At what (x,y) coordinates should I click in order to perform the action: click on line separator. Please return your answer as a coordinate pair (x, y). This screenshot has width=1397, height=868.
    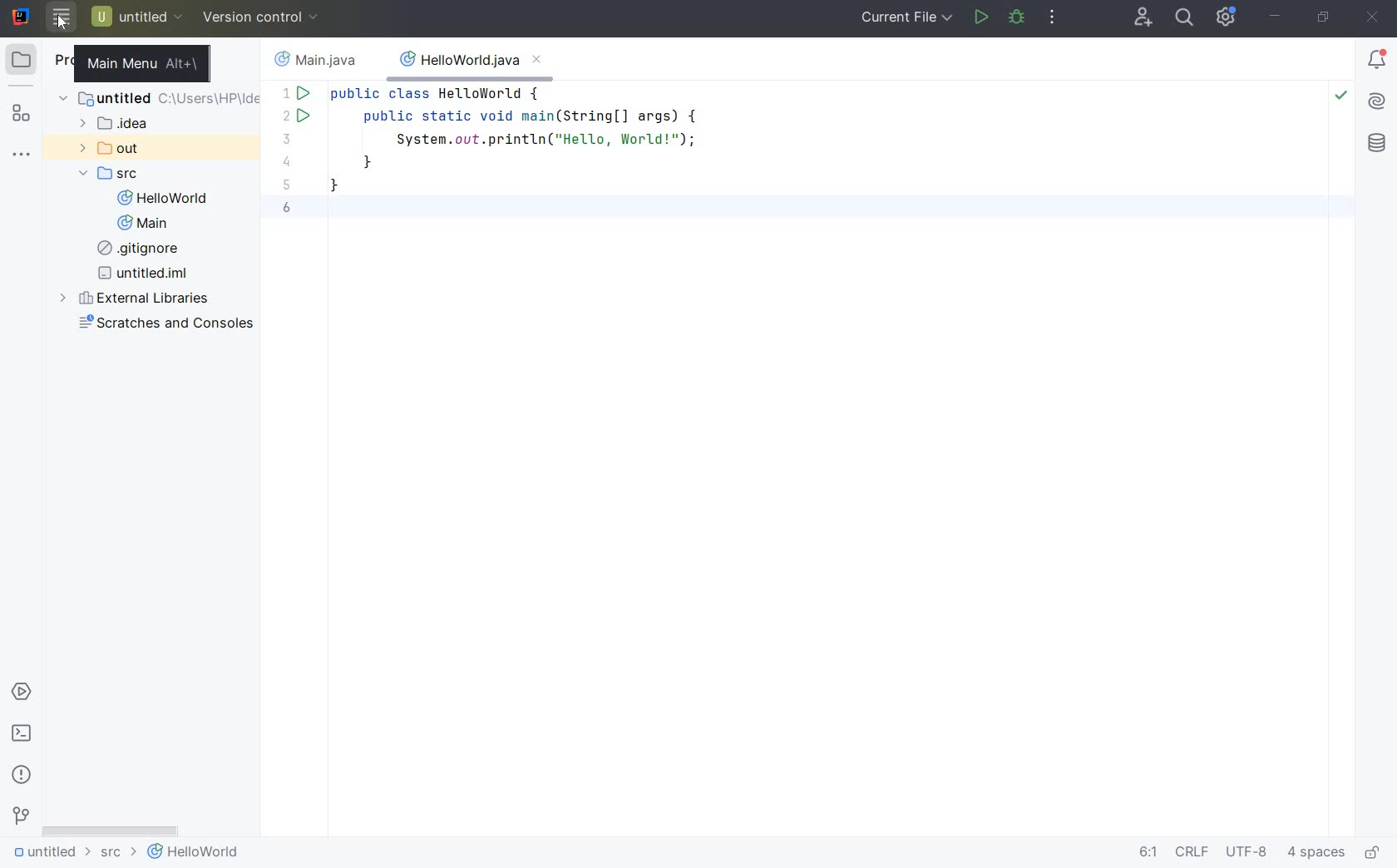
    Looking at the image, I should click on (1191, 854).